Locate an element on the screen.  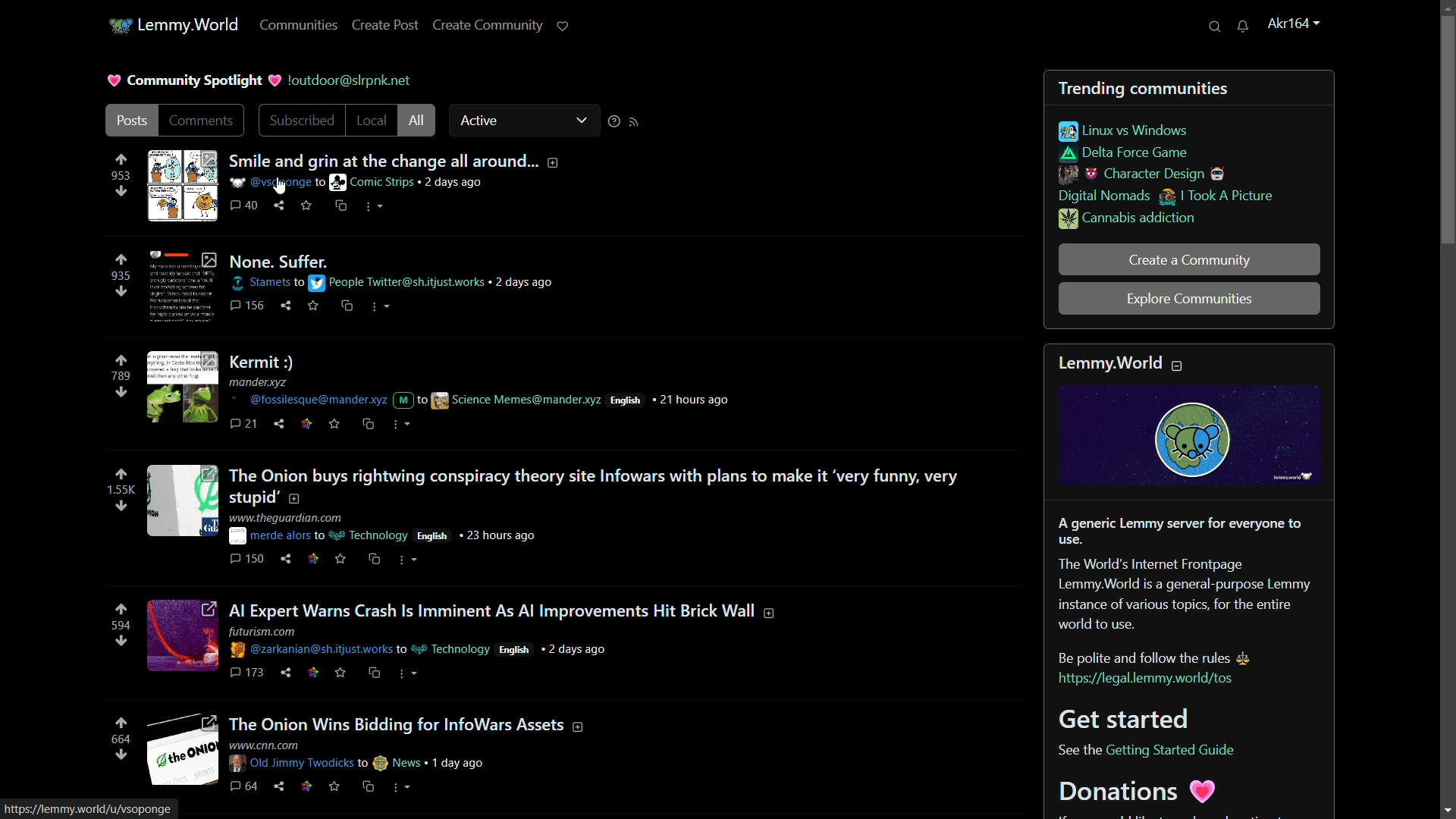
cross share is located at coordinates (348, 304).